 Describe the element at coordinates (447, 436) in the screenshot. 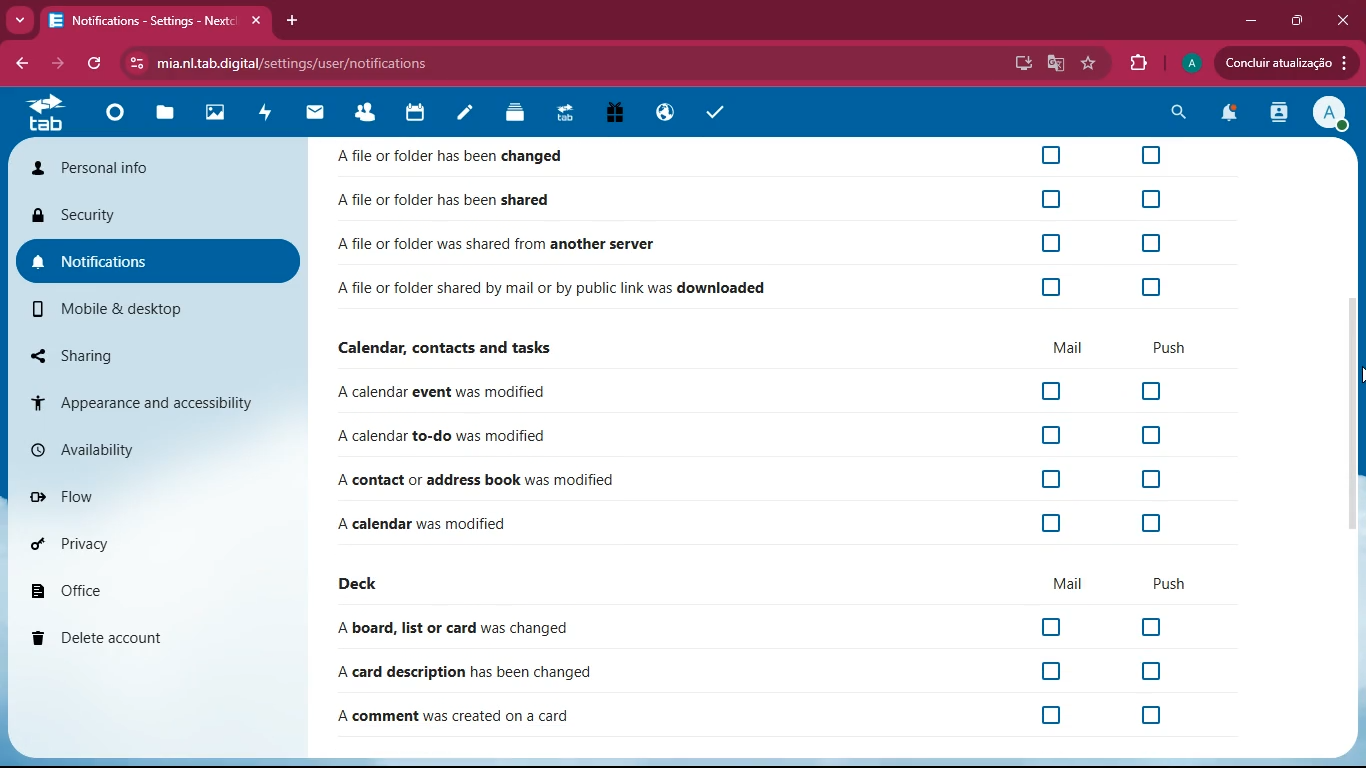

I see `A calendar to-do was modified` at that location.